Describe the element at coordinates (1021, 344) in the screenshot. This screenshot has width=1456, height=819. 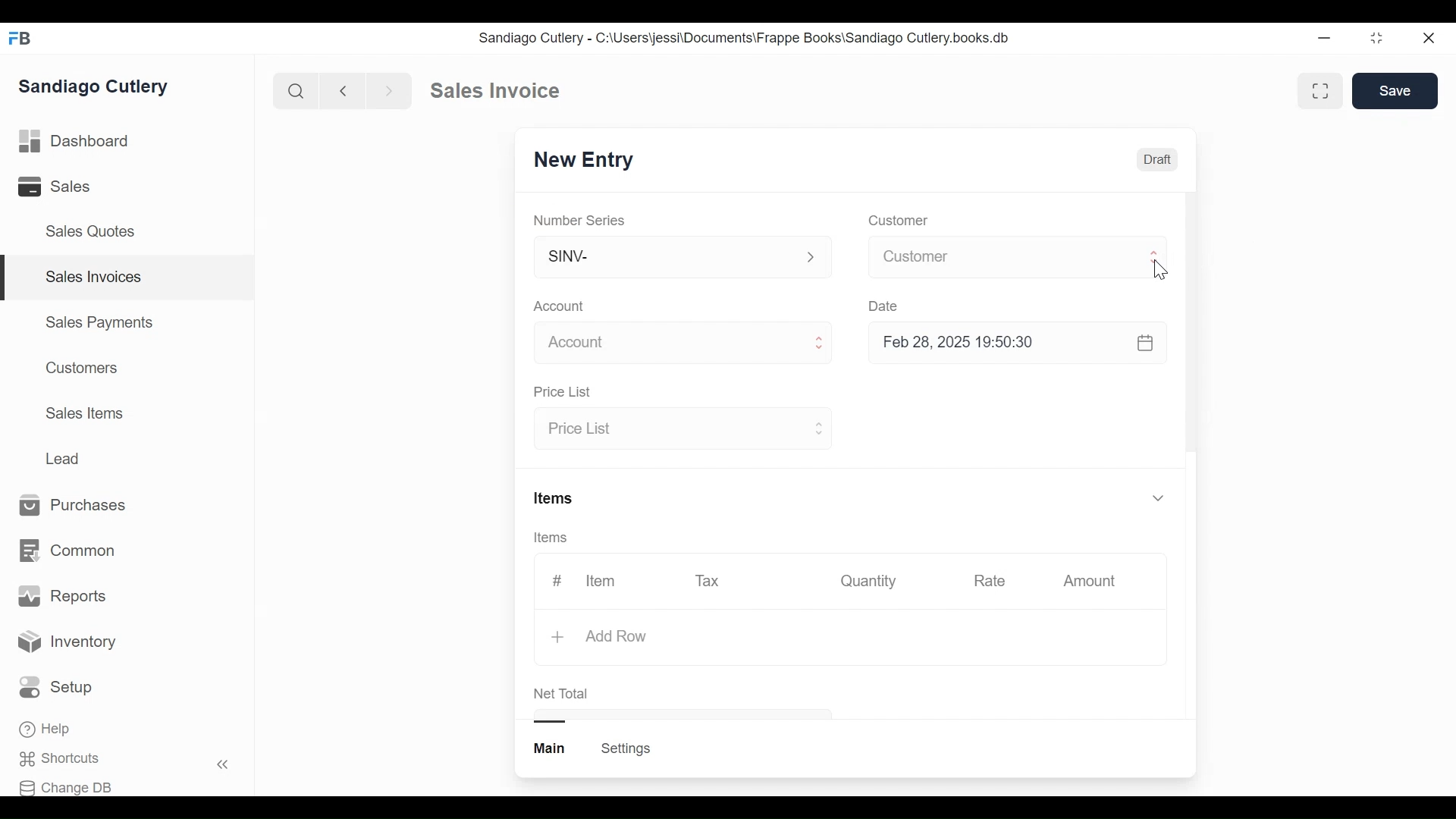
I see `Feb 28, 2025 19:50:30 &` at that location.